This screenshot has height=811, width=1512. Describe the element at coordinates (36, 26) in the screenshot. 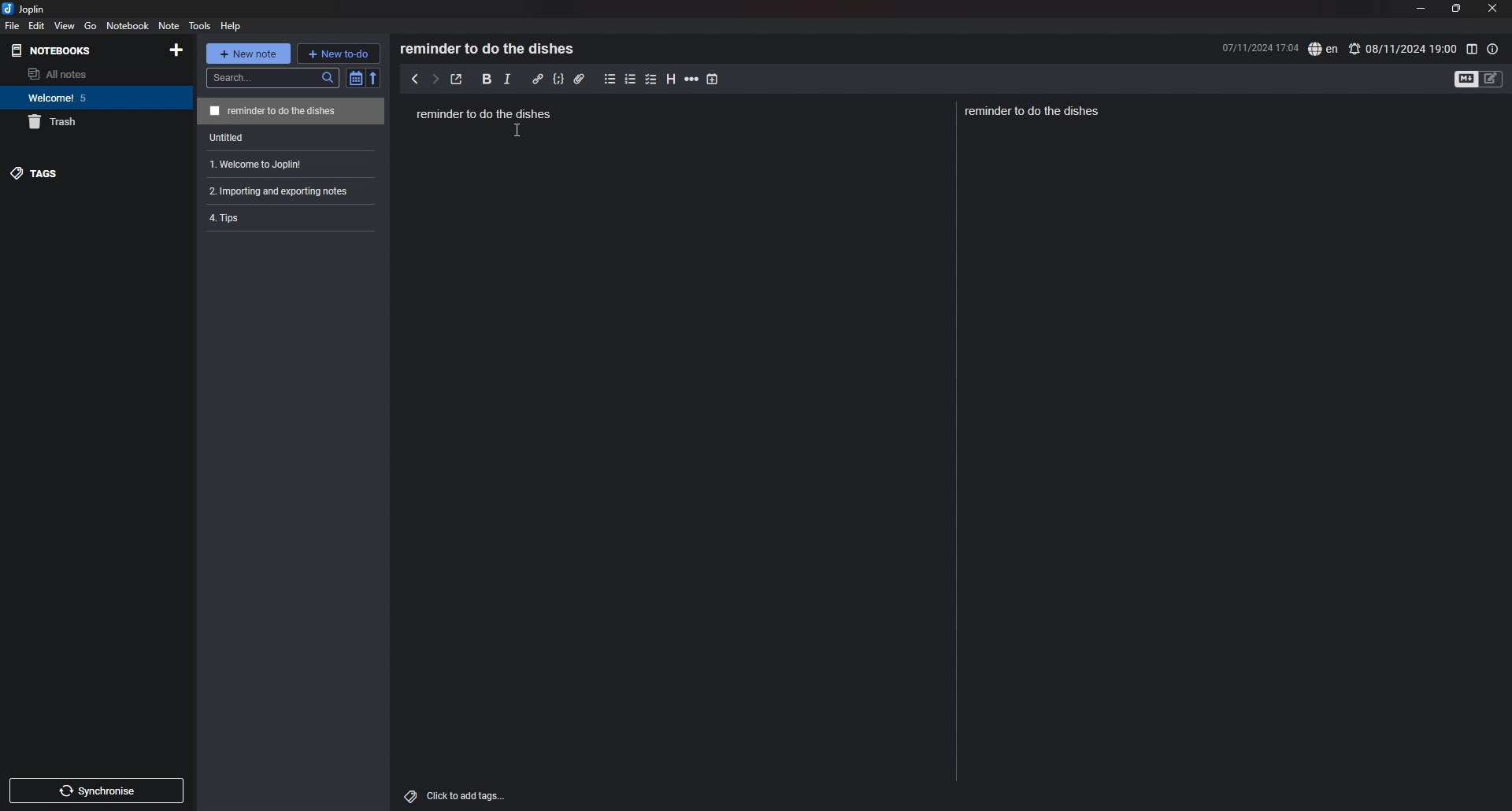

I see `edit` at that location.